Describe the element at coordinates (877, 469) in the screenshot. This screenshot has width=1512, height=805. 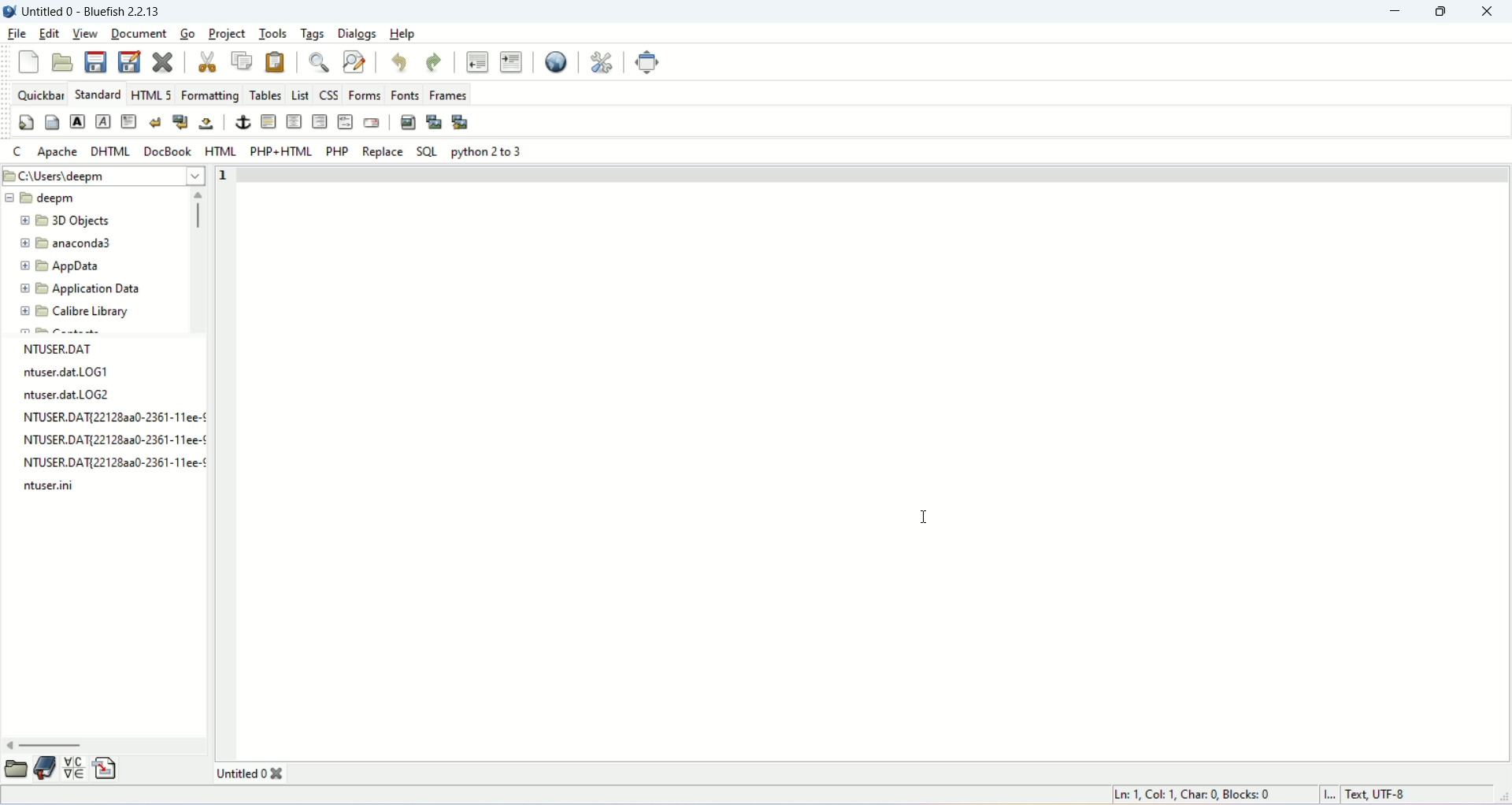
I see `workspace` at that location.